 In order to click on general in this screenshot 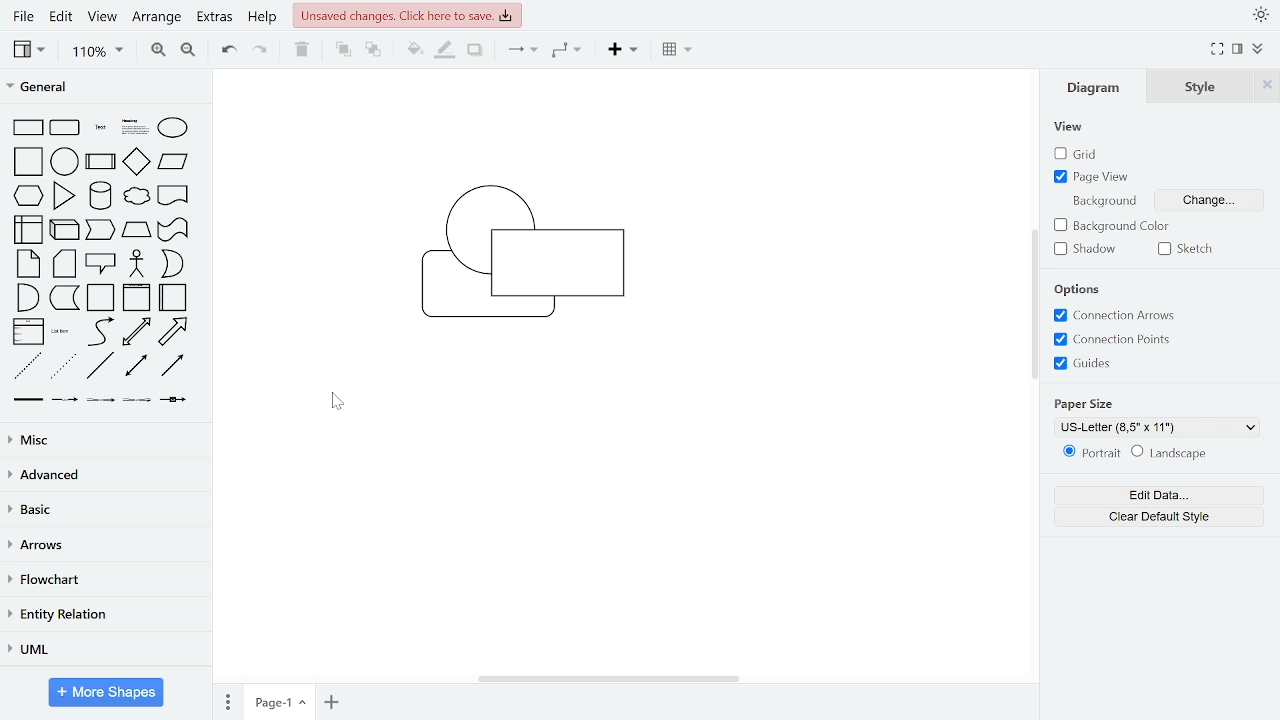, I will do `click(104, 87)`.